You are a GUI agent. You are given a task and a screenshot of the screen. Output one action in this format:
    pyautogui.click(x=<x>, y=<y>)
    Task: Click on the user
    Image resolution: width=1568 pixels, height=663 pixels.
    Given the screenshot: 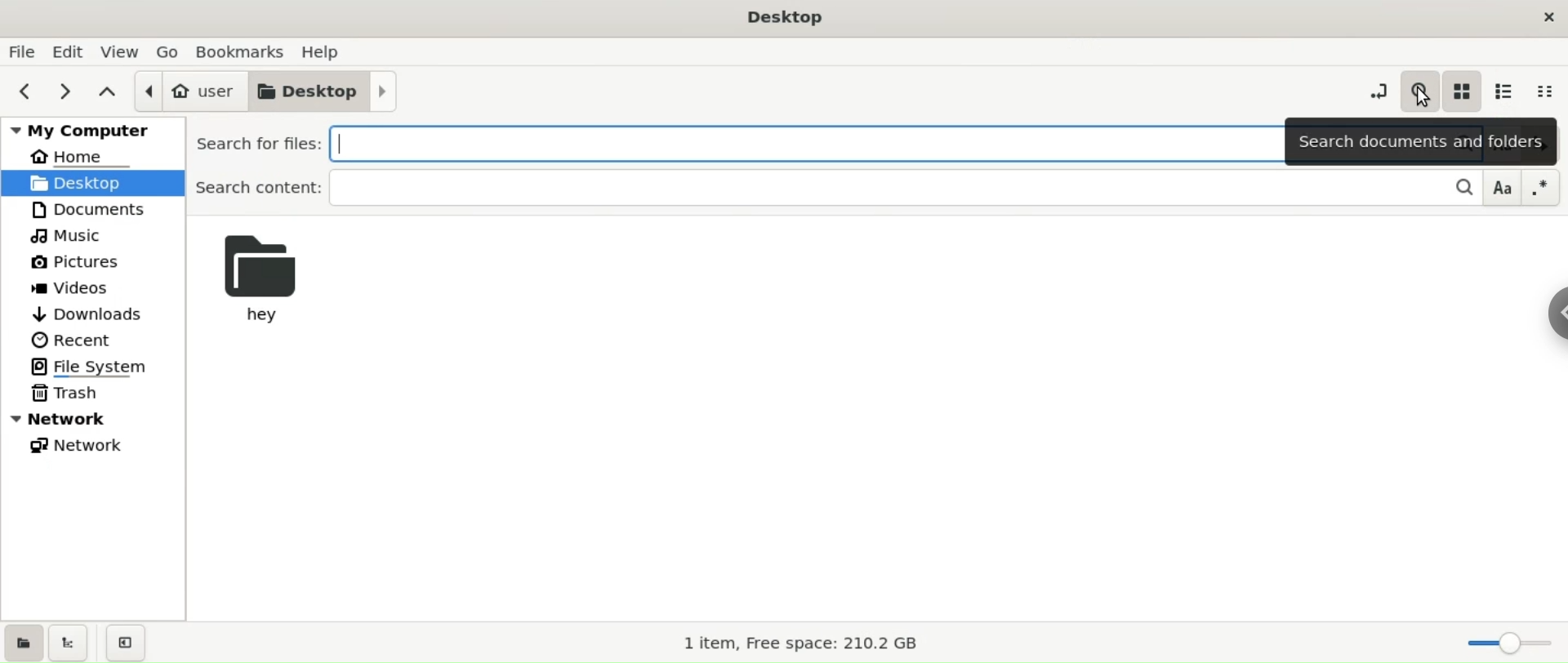 What is the action you would take?
    pyautogui.click(x=183, y=91)
    